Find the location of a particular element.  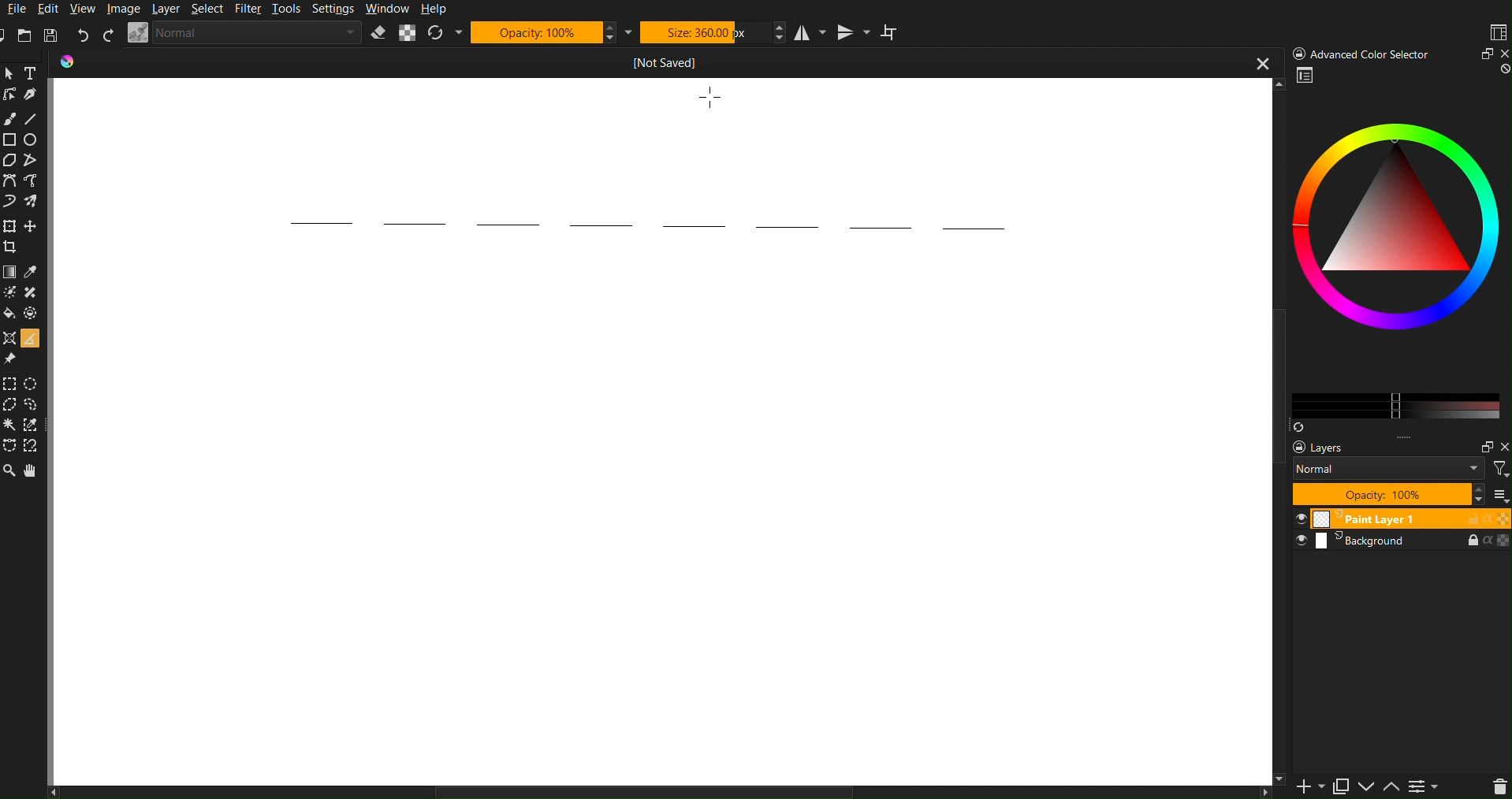

Vertical Mirror is located at coordinates (851, 33).